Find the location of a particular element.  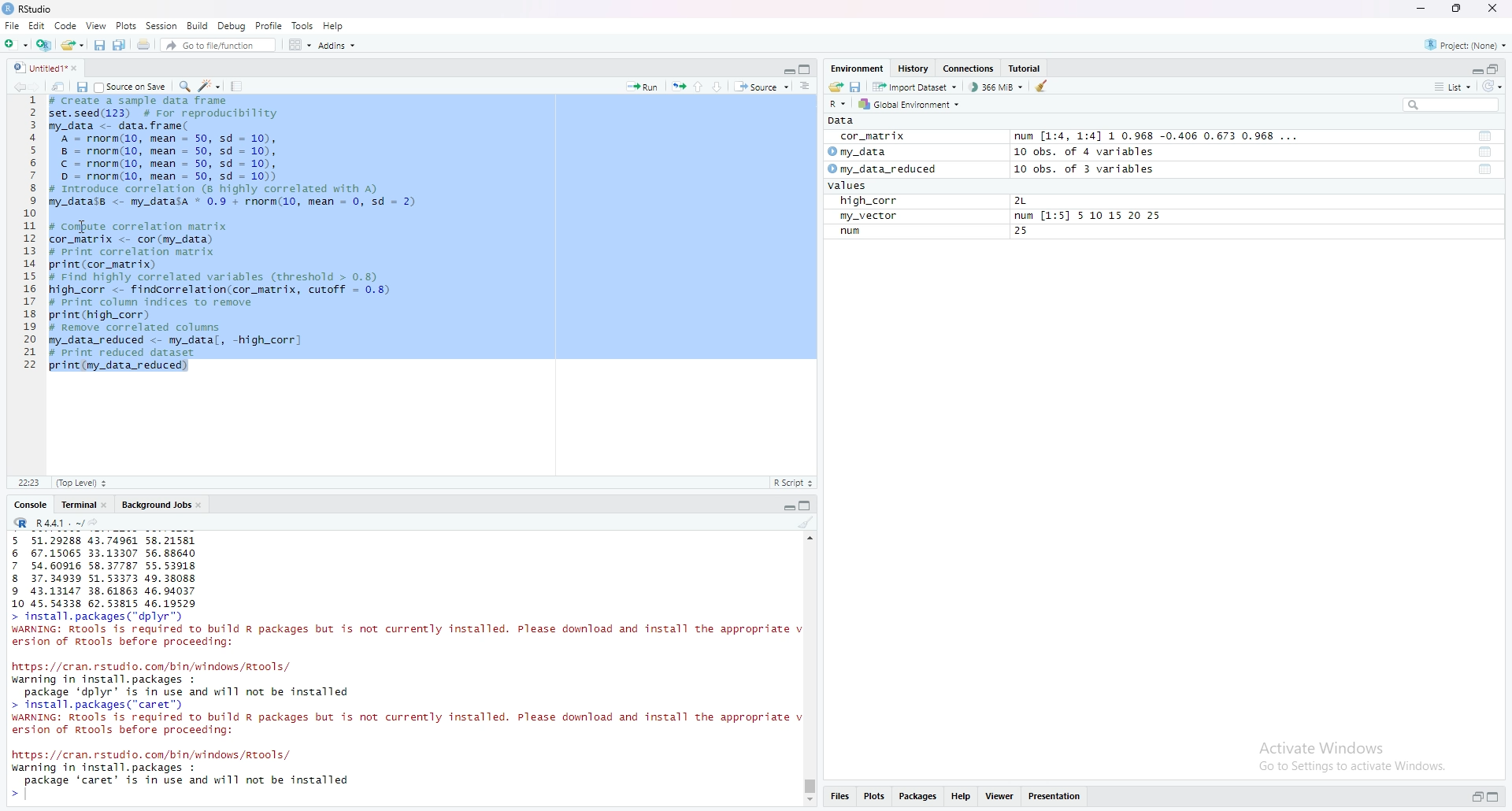

close is located at coordinates (76, 69).